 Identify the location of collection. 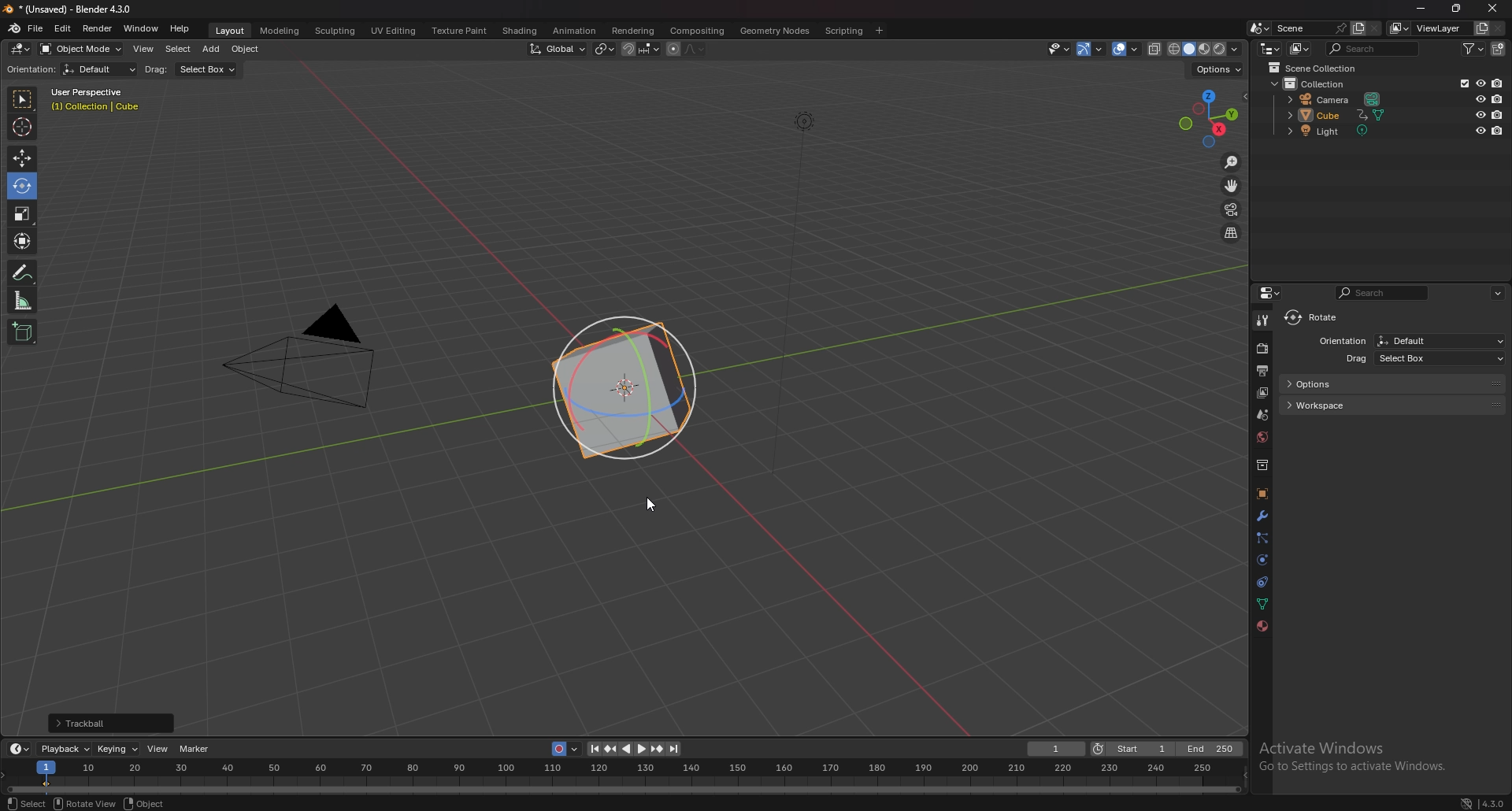
(1316, 83).